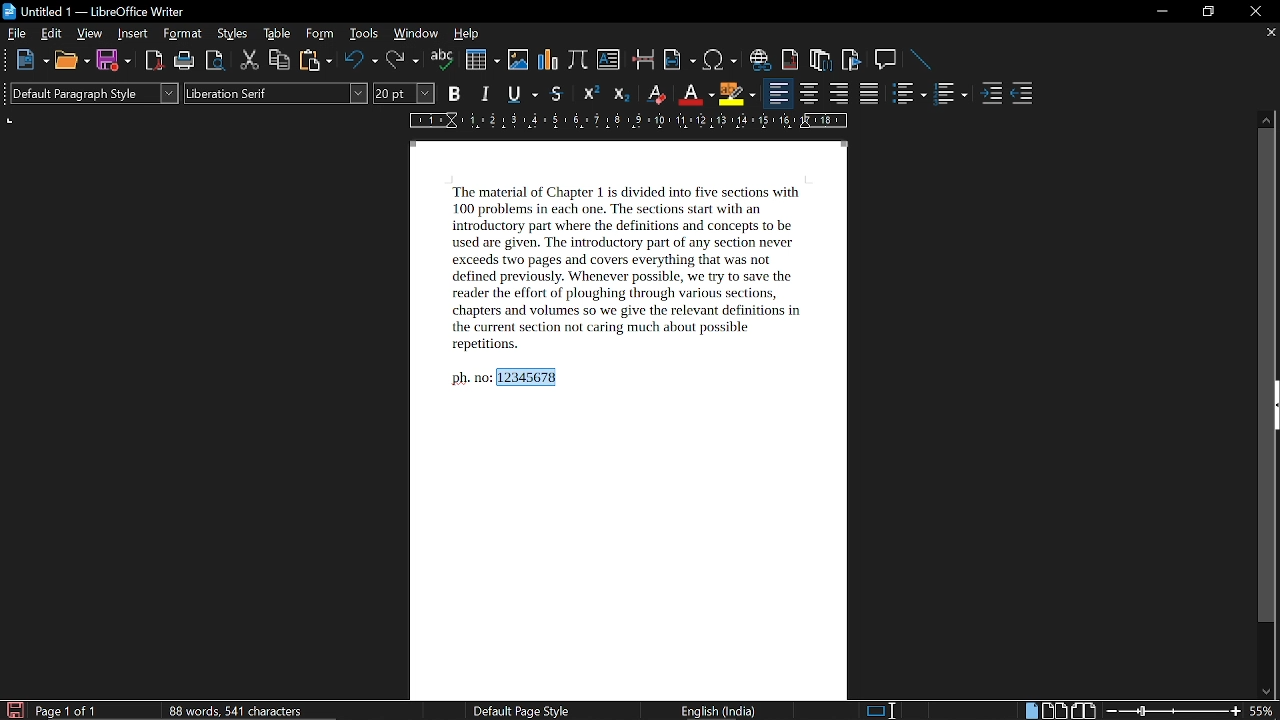 Image resolution: width=1280 pixels, height=720 pixels. Describe the element at coordinates (1174, 712) in the screenshot. I see `change zoom` at that location.